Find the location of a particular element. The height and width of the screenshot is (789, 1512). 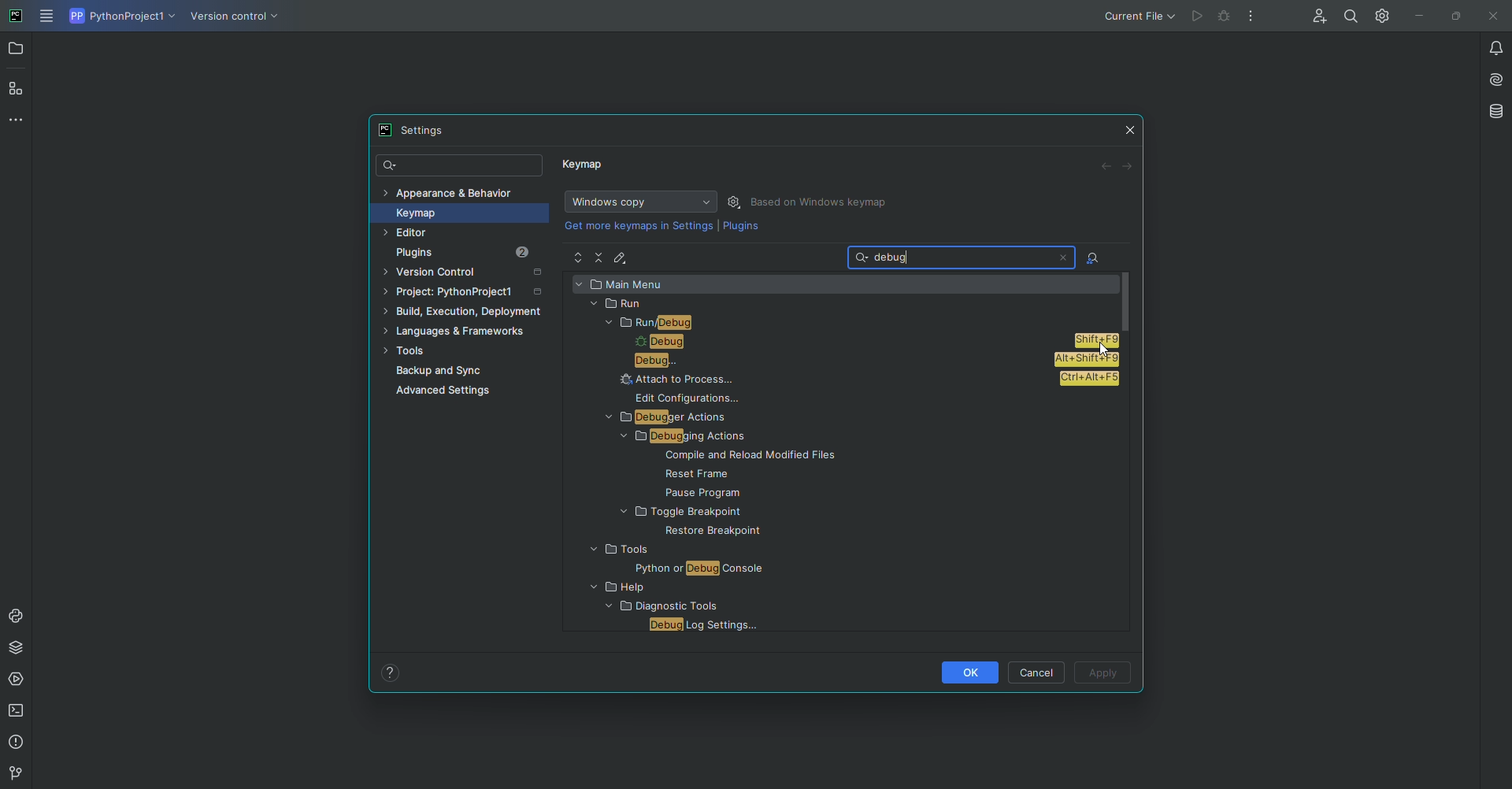

Cancel is located at coordinates (1039, 672).